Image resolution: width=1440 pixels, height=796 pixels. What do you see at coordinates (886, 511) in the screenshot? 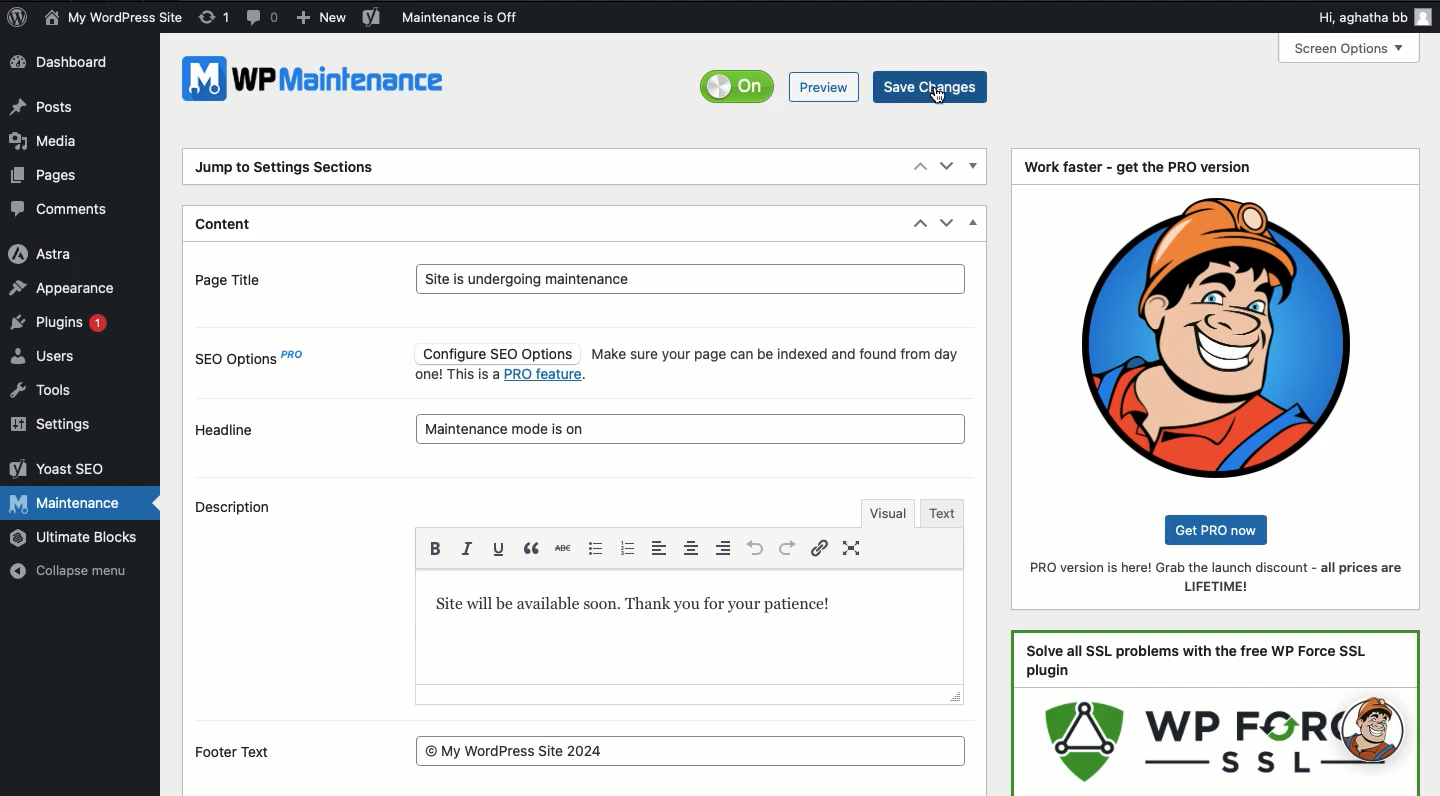
I see `Visual` at bounding box center [886, 511].